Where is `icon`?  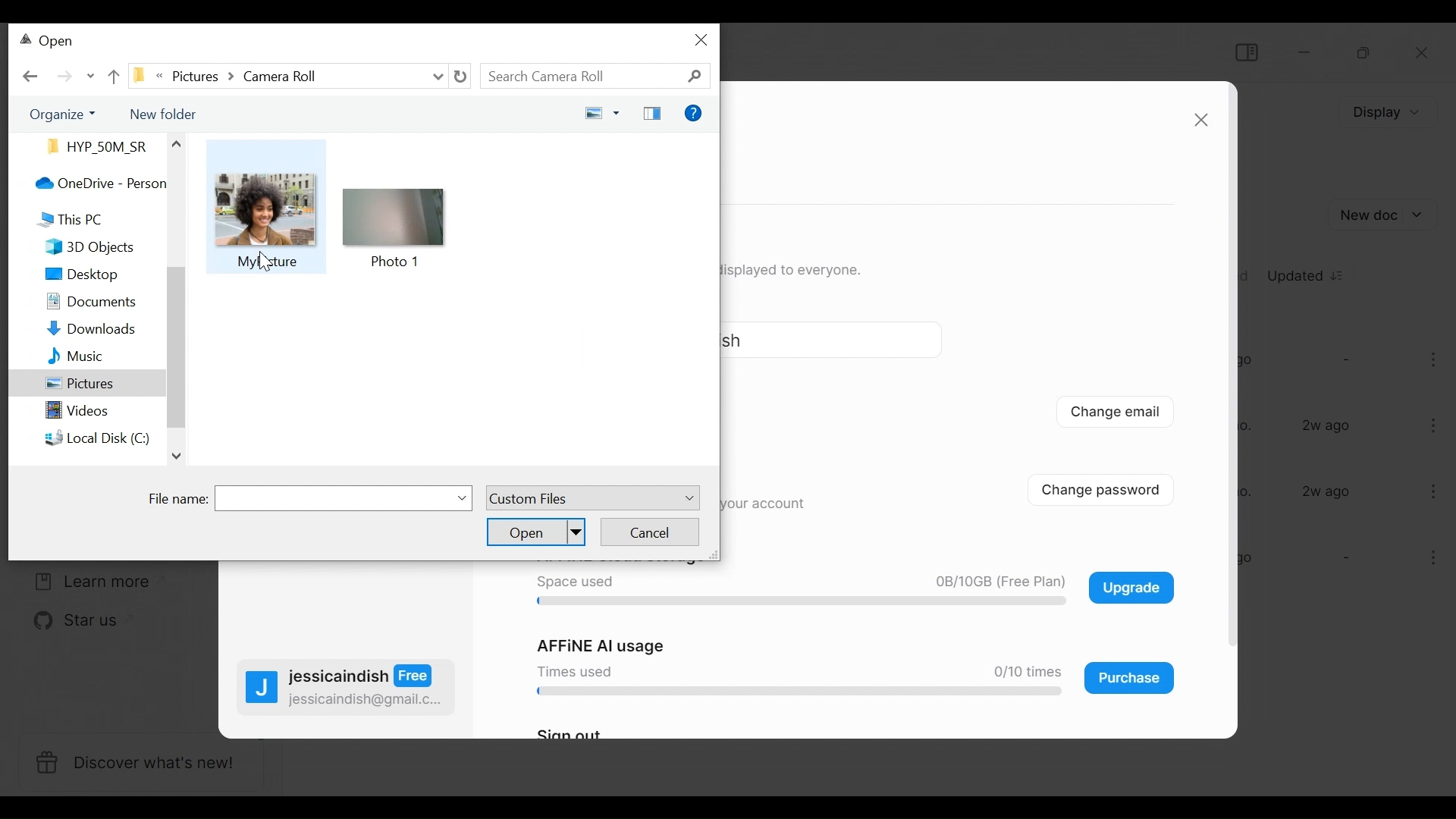
icon is located at coordinates (396, 218).